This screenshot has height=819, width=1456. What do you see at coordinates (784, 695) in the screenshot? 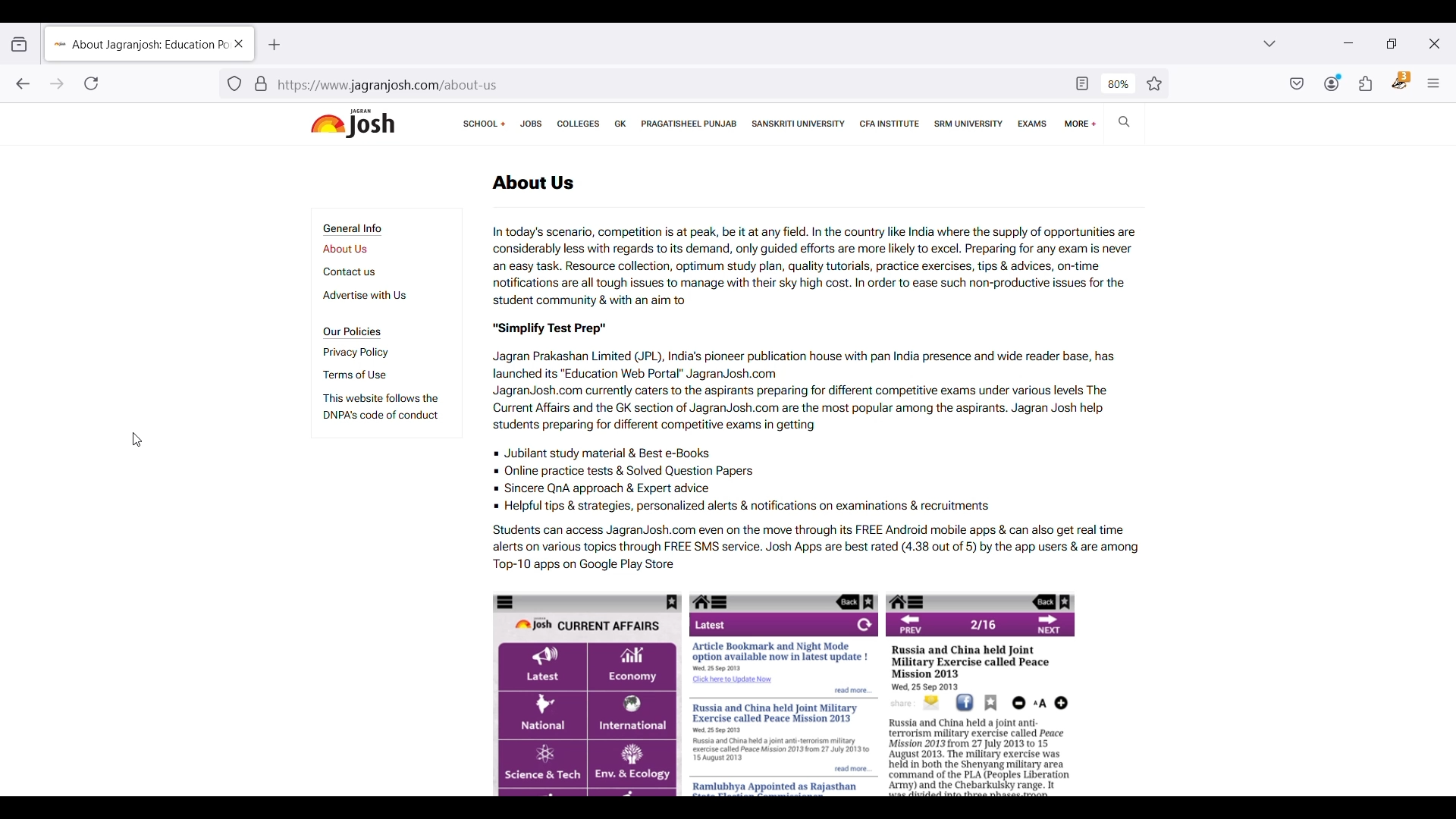
I see `Website's mobile UI` at bounding box center [784, 695].